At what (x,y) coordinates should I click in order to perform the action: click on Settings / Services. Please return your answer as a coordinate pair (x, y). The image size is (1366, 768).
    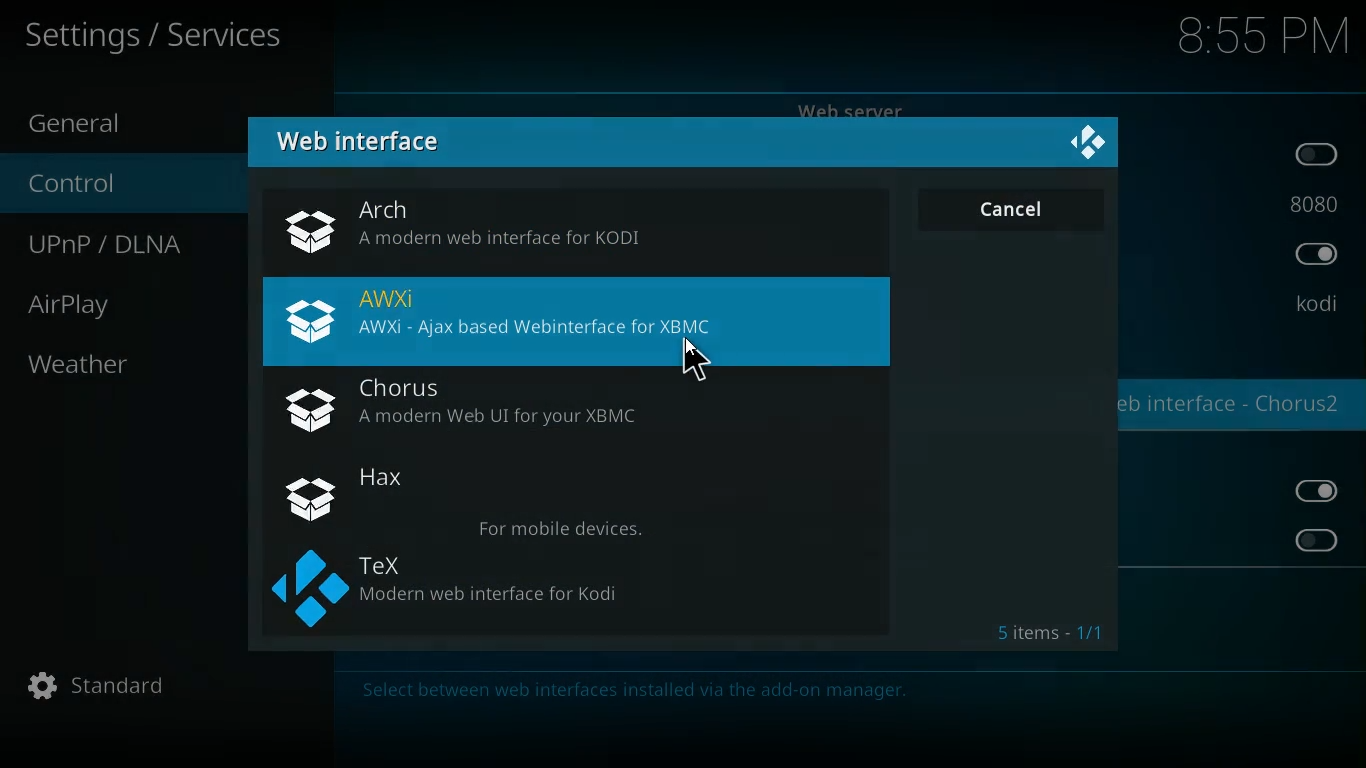
    Looking at the image, I should click on (157, 36).